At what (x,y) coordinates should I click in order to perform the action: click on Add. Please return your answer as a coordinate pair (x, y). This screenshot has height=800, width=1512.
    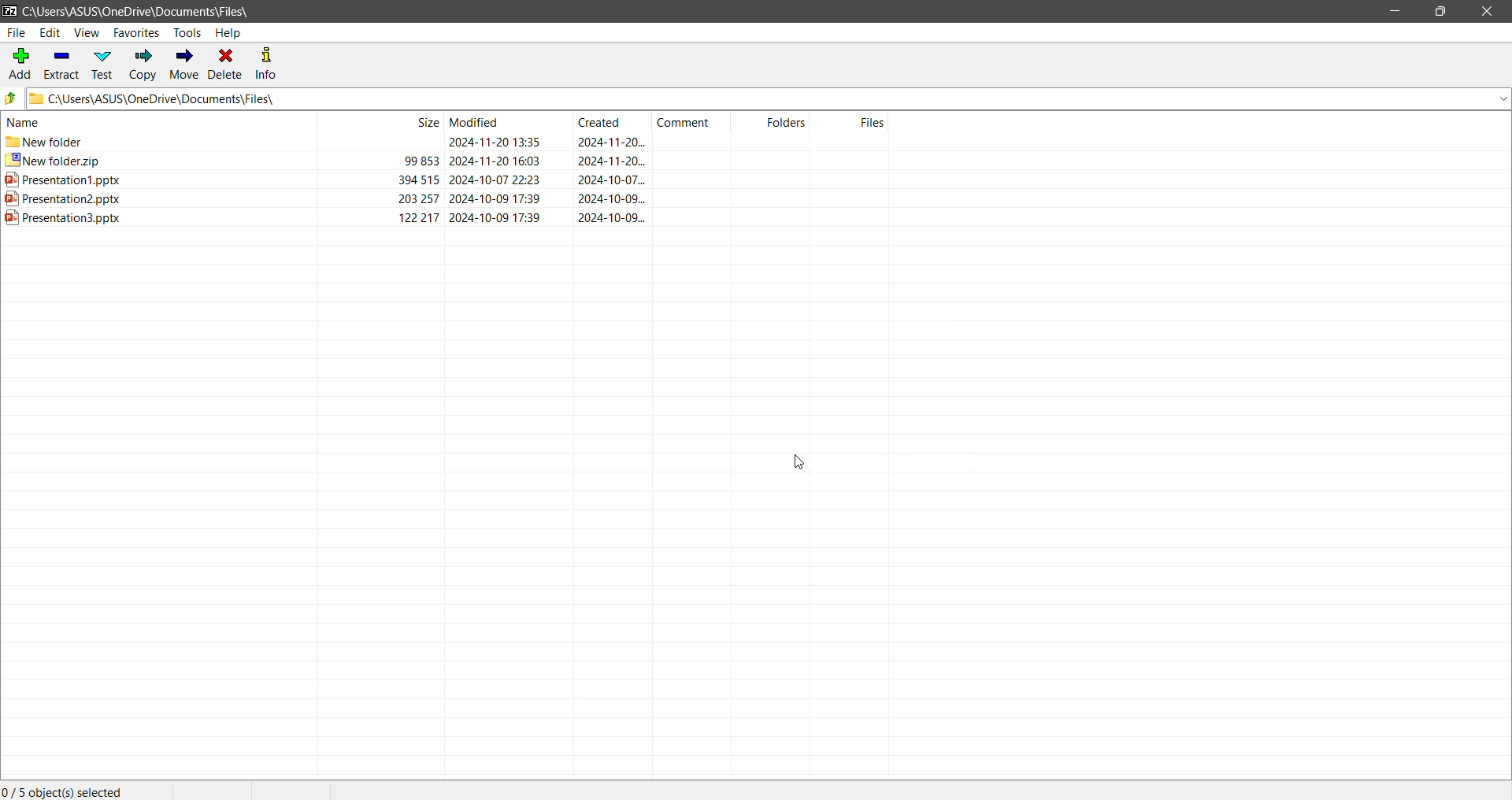
    Looking at the image, I should click on (20, 61).